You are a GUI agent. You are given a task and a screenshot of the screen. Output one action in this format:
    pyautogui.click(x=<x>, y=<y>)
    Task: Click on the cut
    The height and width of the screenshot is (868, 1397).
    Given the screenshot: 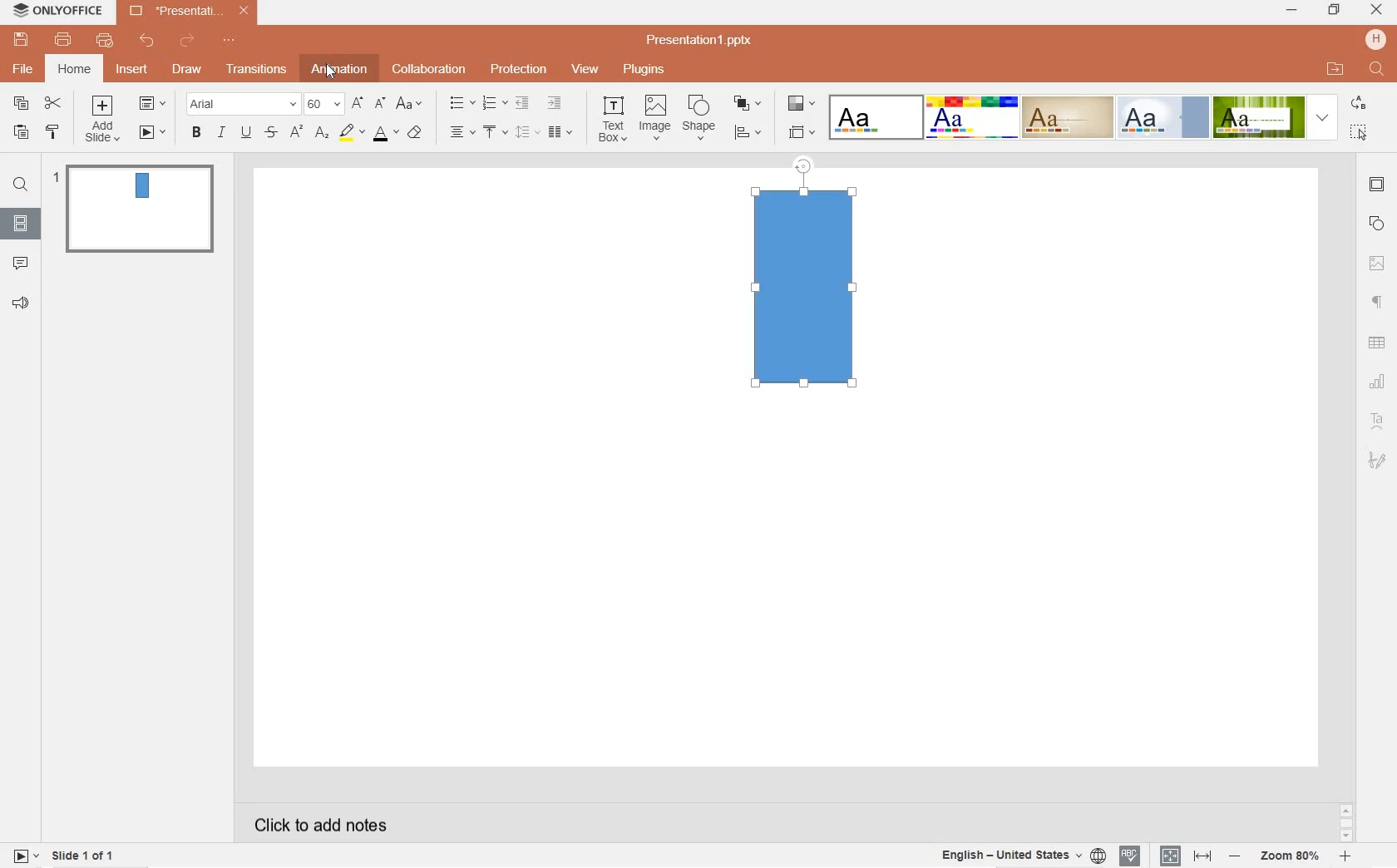 What is the action you would take?
    pyautogui.click(x=53, y=104)
    